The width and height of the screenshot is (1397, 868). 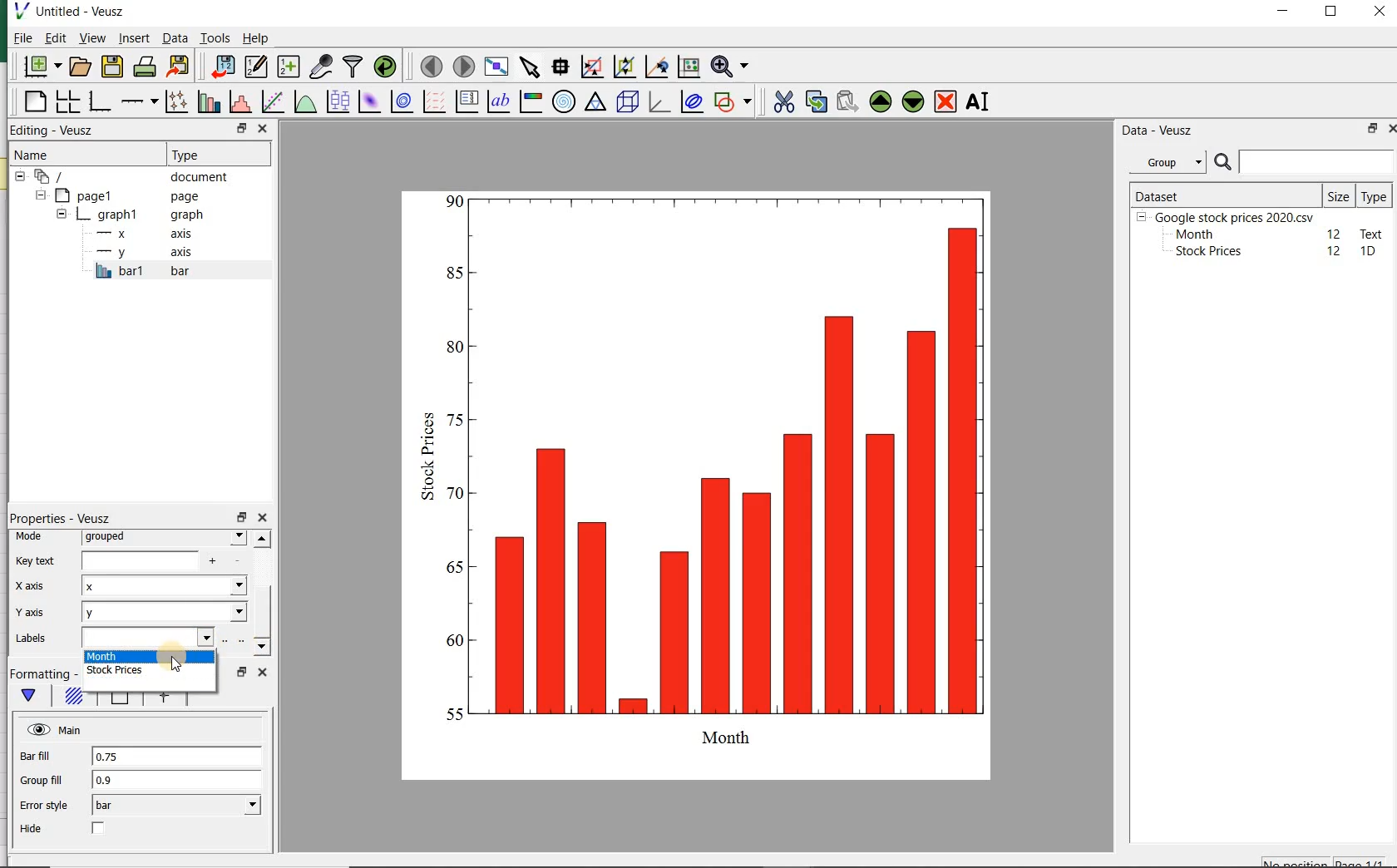 I want to click on image color bar, so click(x=529, y=101).